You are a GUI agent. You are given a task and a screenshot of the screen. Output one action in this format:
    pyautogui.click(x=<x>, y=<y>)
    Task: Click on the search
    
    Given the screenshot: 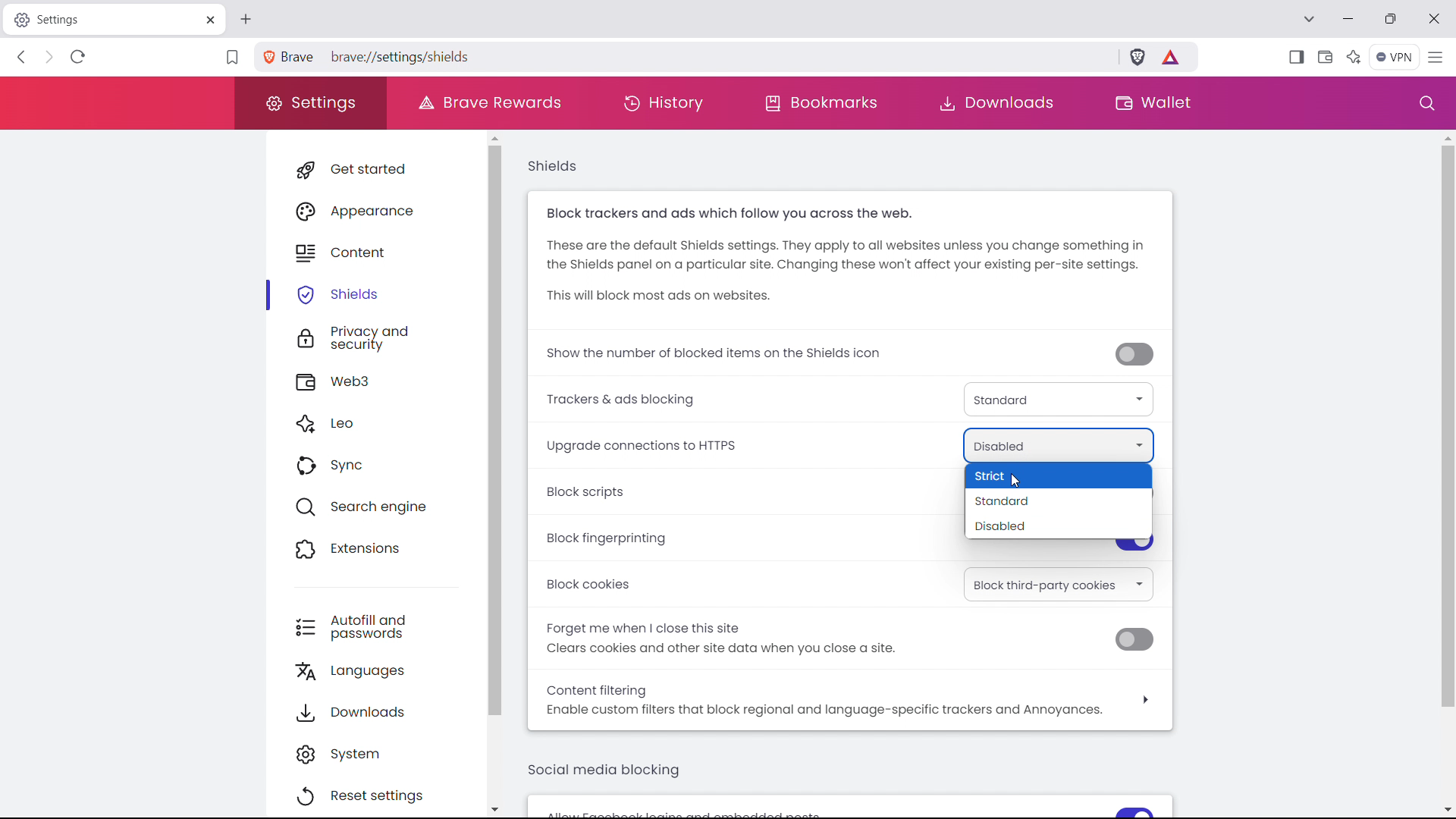 What is the action you would take?
    pyautogui.click(x=1426, y=103)
    